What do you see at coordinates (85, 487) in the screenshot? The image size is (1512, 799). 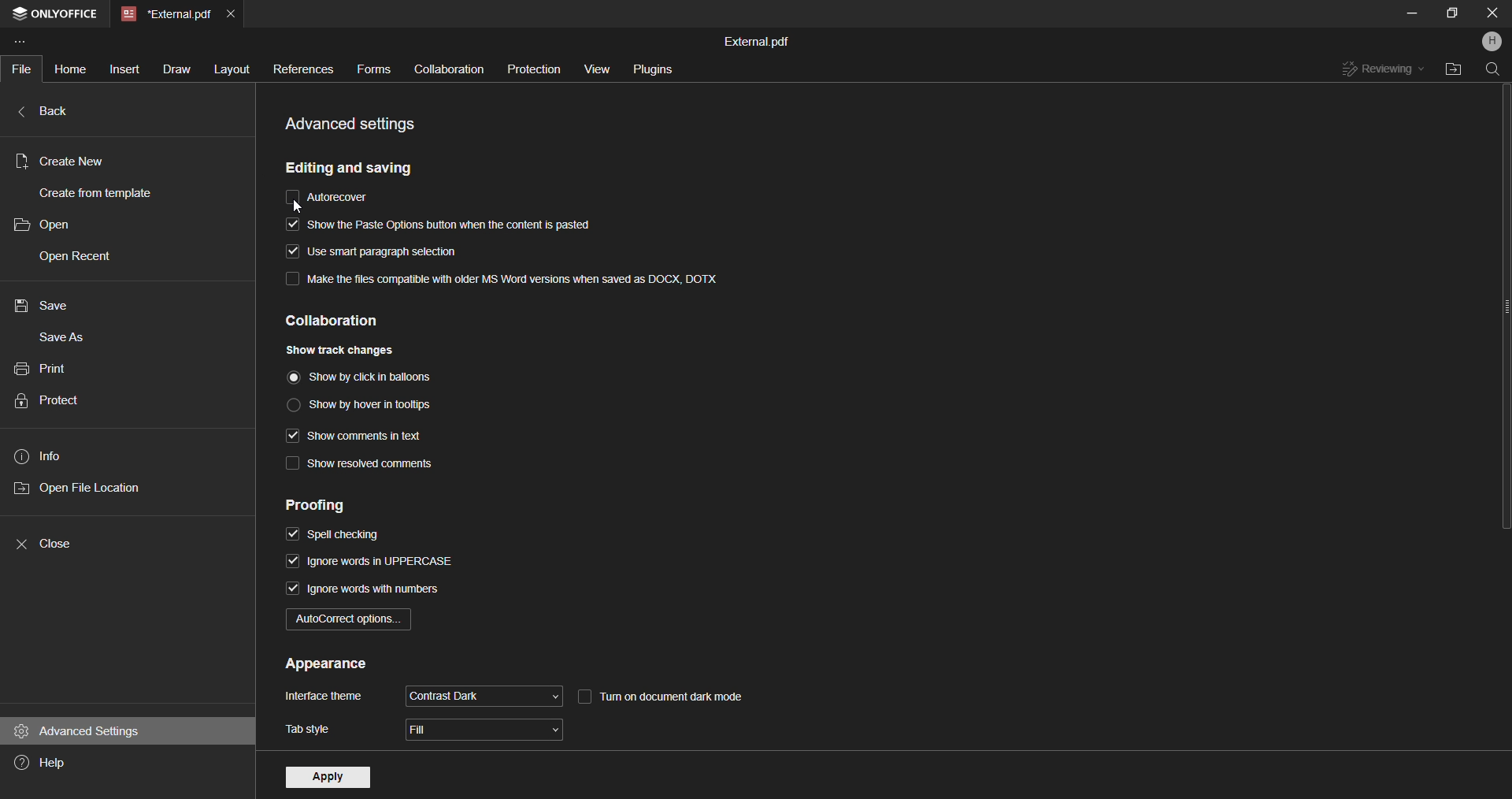 I see `open file location` at bounding box center [85, 487].